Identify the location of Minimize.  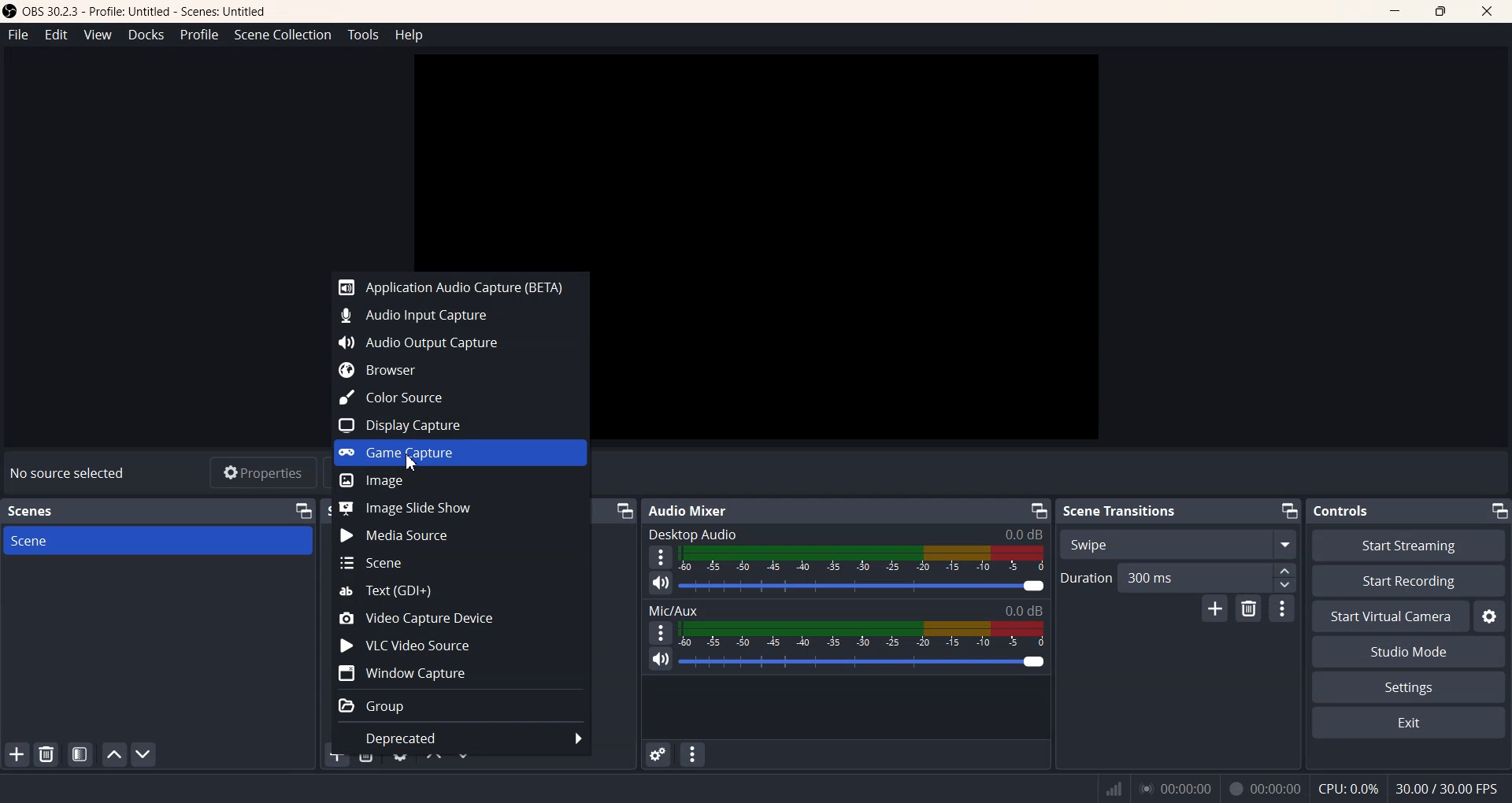
(303, 511).